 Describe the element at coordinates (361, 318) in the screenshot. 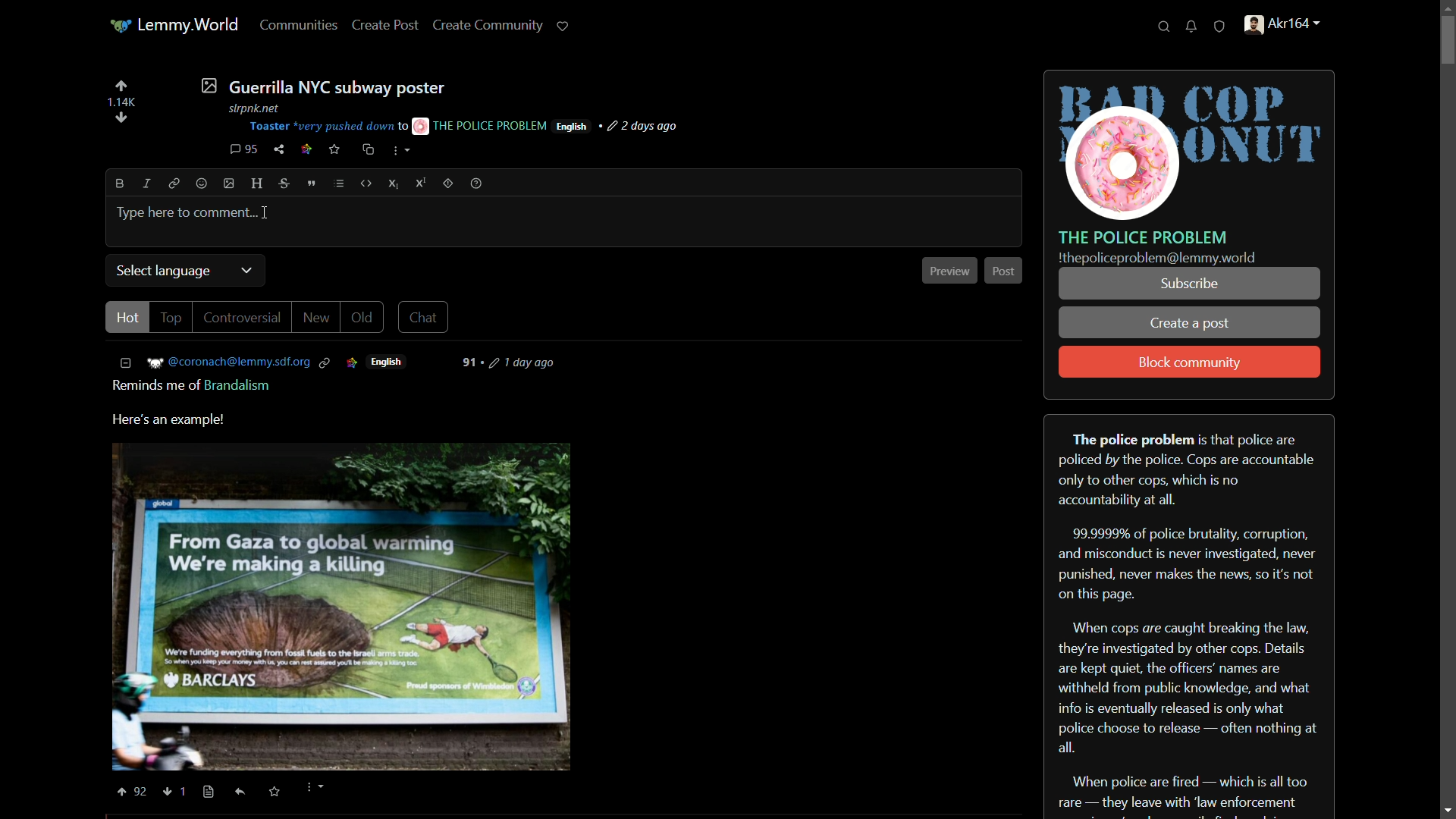

I see `old` at that location.